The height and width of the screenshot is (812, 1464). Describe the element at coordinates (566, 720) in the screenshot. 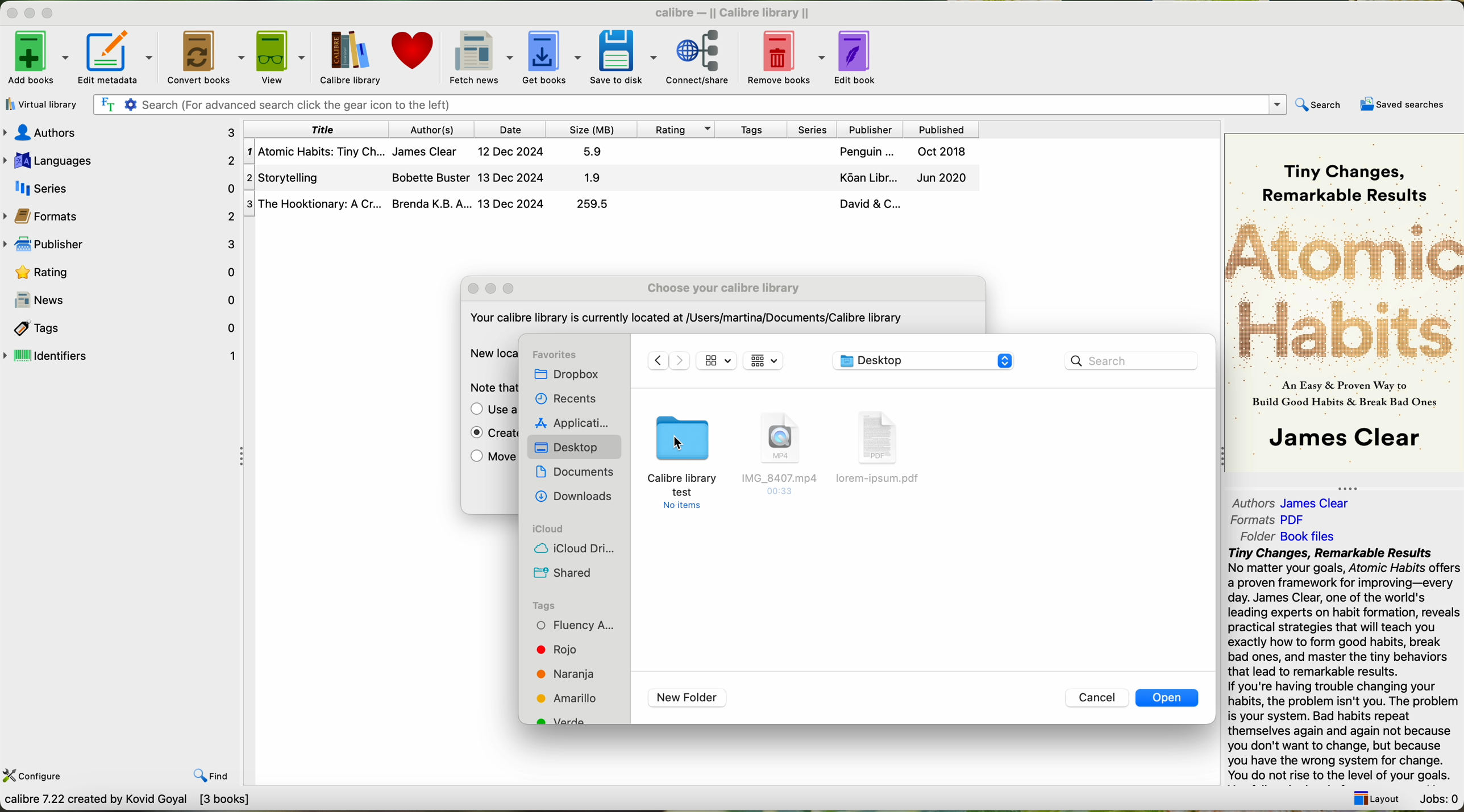

I see `green tag` at that location.